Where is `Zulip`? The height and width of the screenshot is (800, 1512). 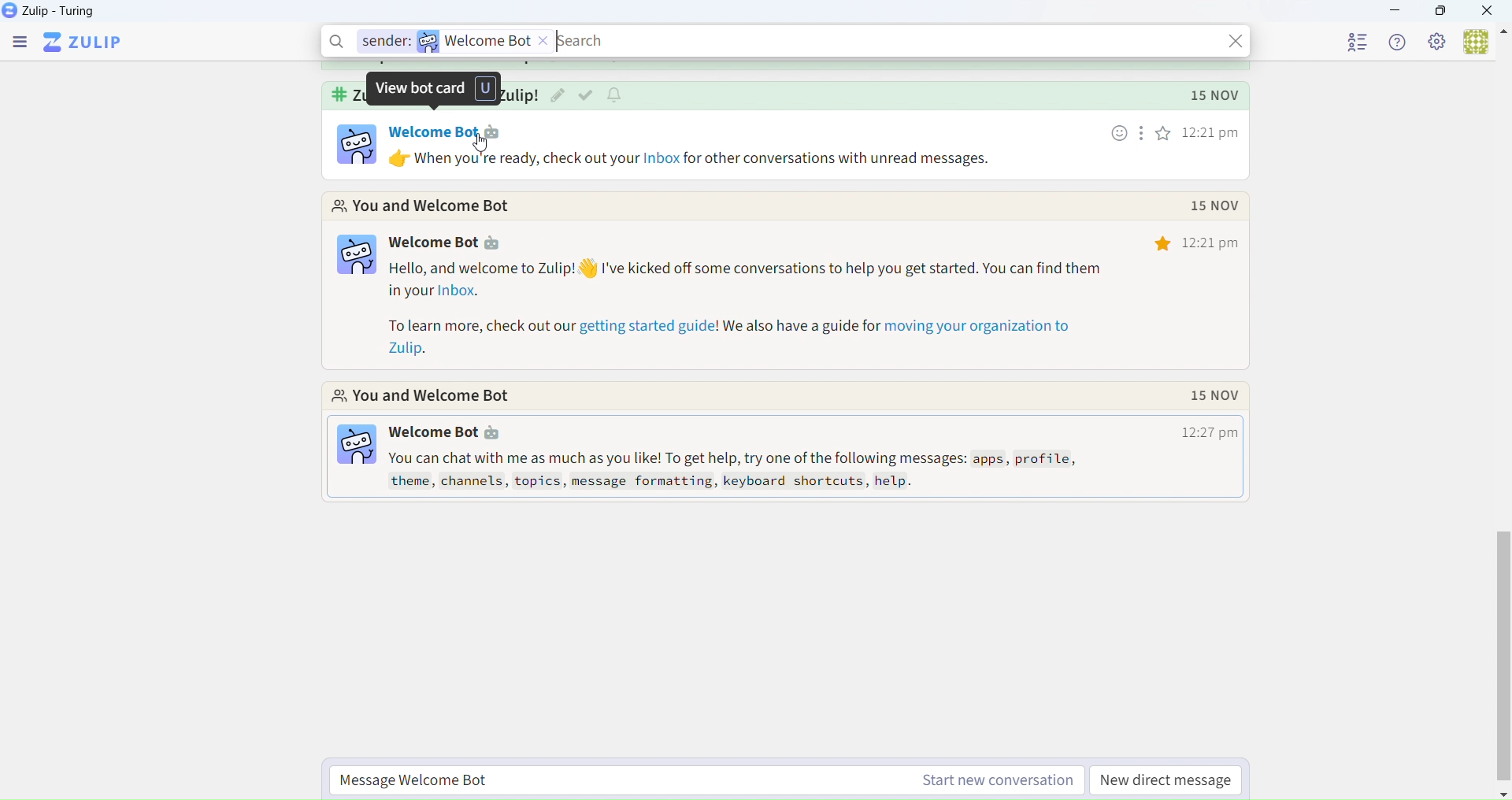 Zulip is located at coordinates (50, 11).